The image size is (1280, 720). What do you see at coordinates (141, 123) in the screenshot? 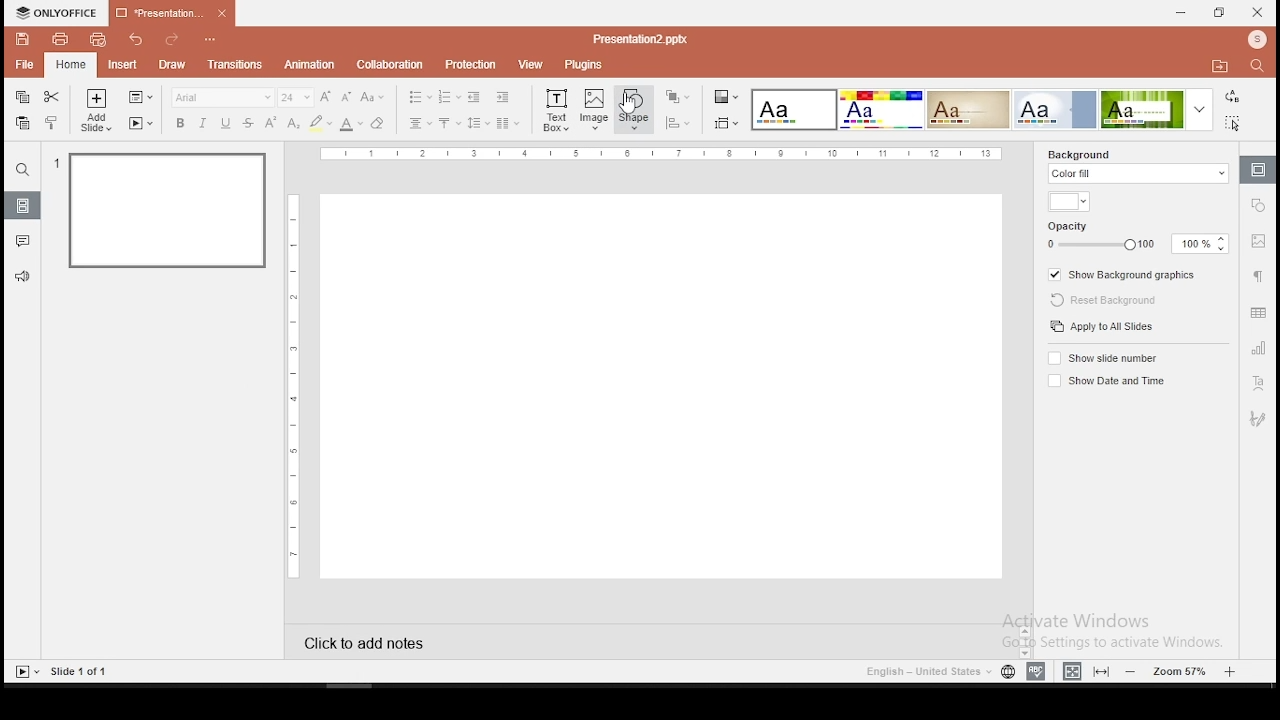
I see `start slideshow` at bounding box center [141, 123].